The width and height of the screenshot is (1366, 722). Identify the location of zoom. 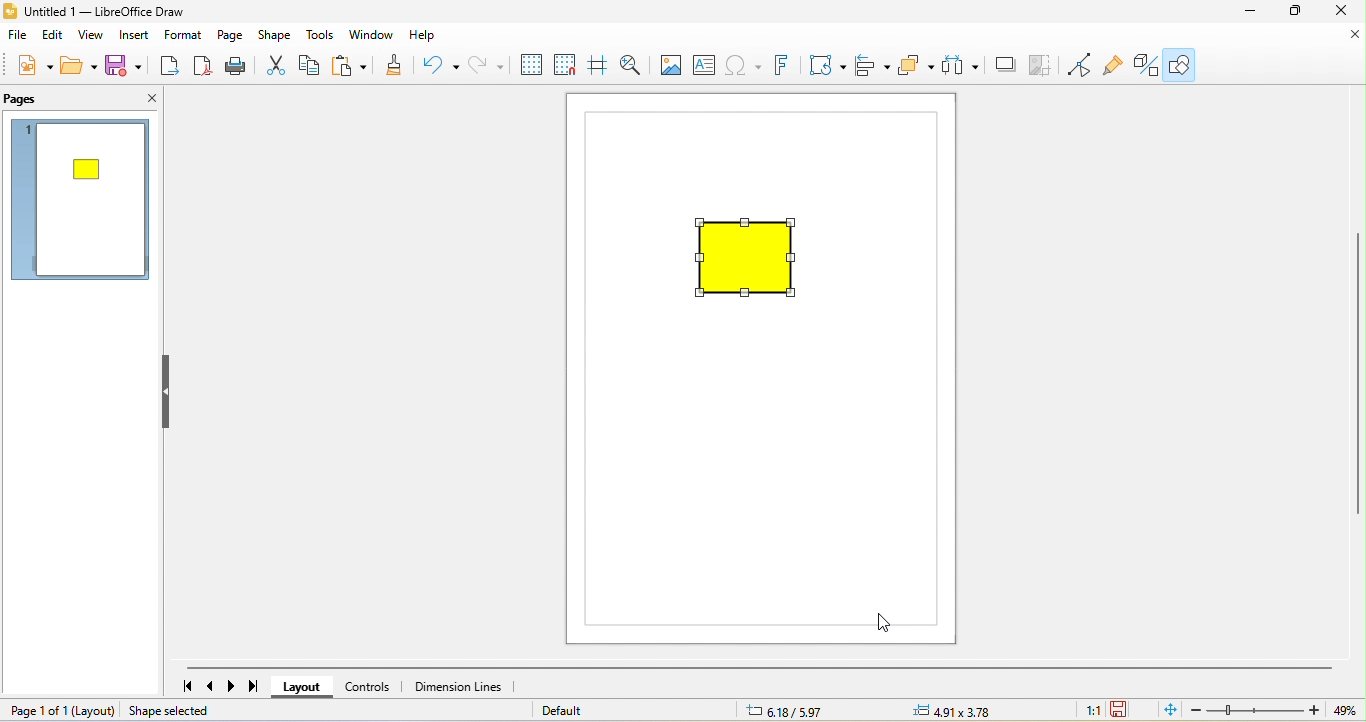
(1274, 711).